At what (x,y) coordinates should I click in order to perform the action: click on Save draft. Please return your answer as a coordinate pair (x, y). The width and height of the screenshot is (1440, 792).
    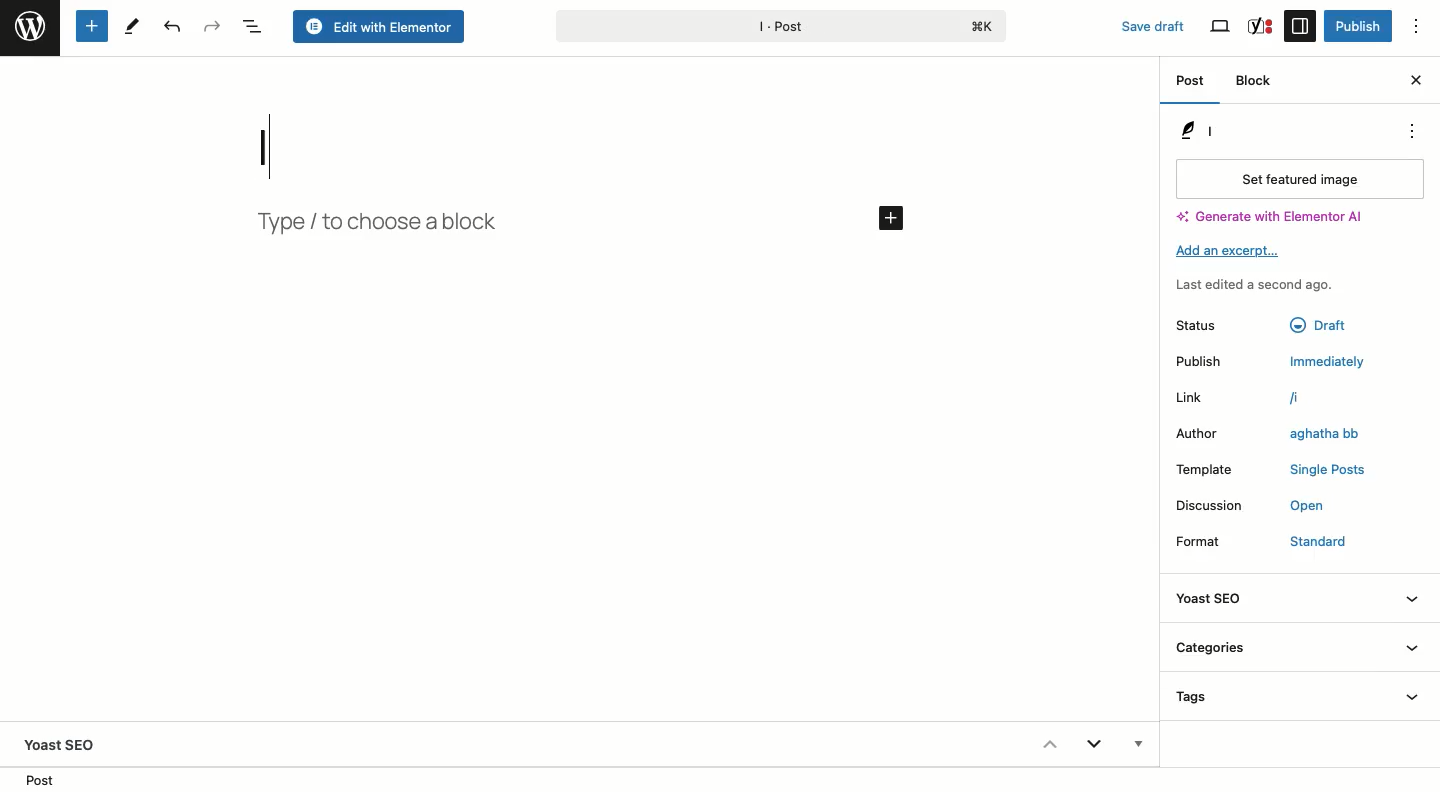
    Looking at the image, I should click on (1142, 22).